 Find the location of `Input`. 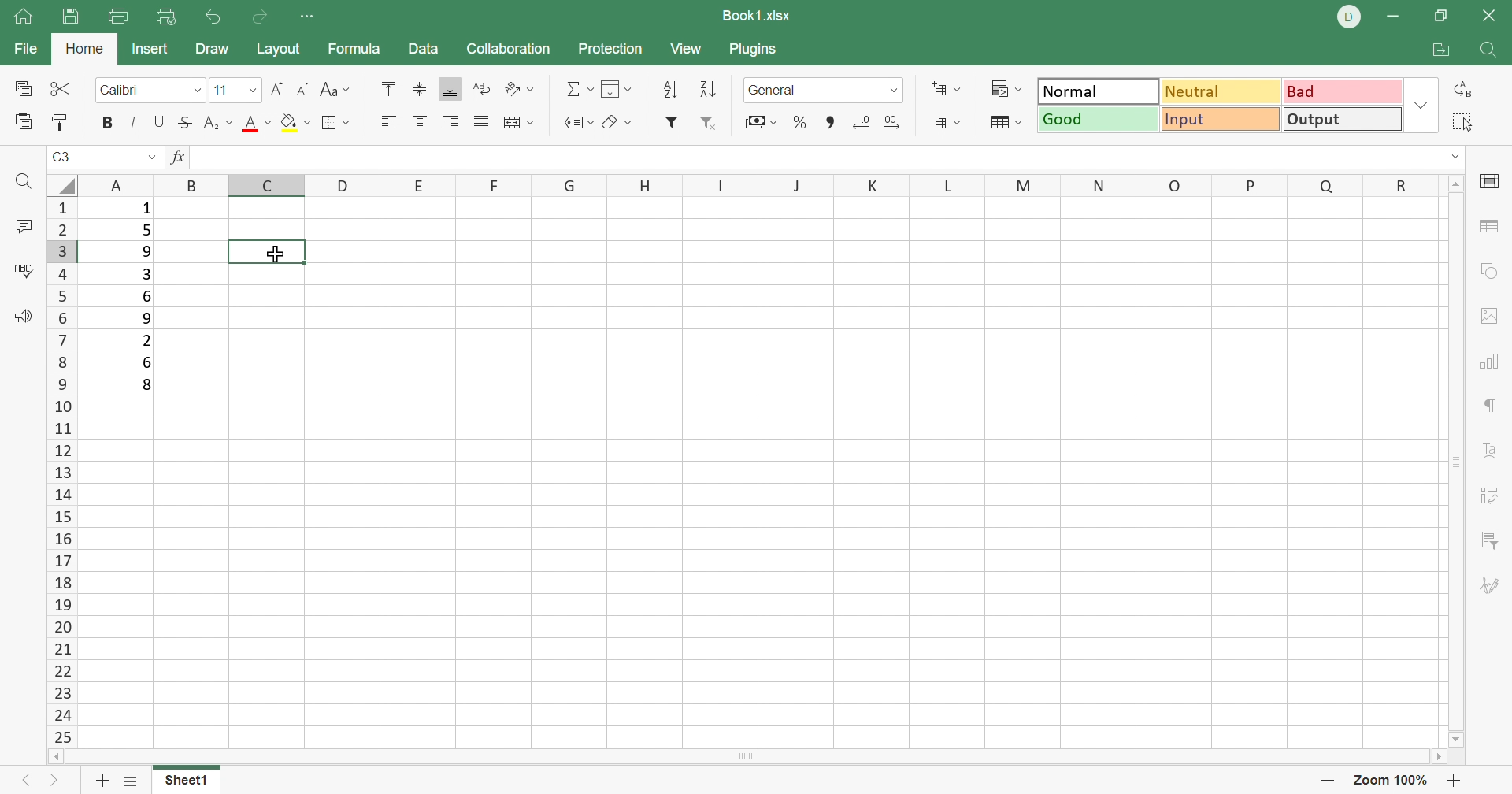

Input is located at coordinates (1222, 121).